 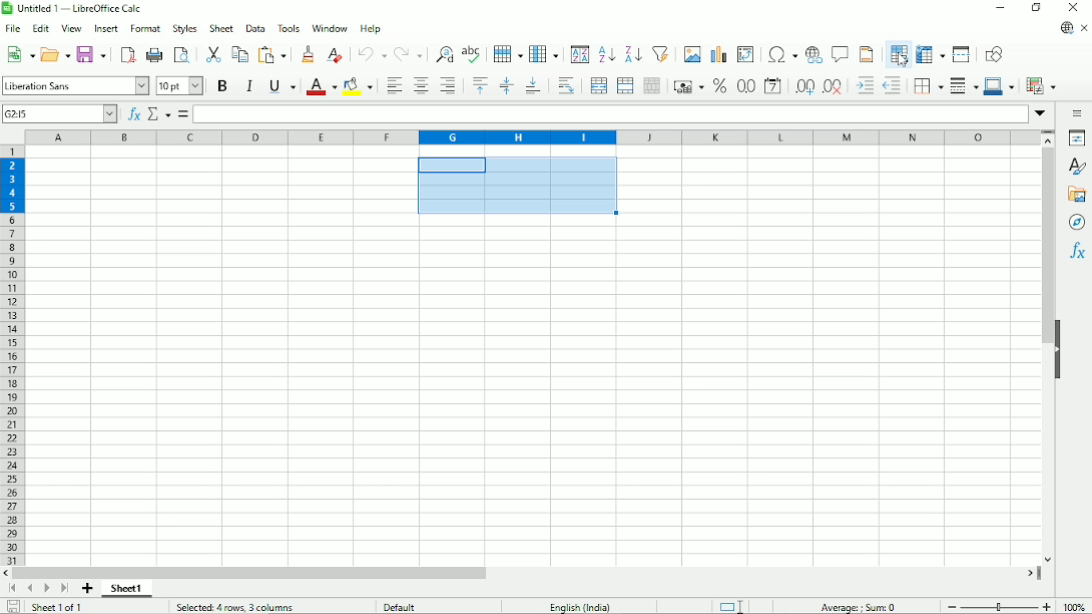 I want to click on Data, so click(x=256, y=27).